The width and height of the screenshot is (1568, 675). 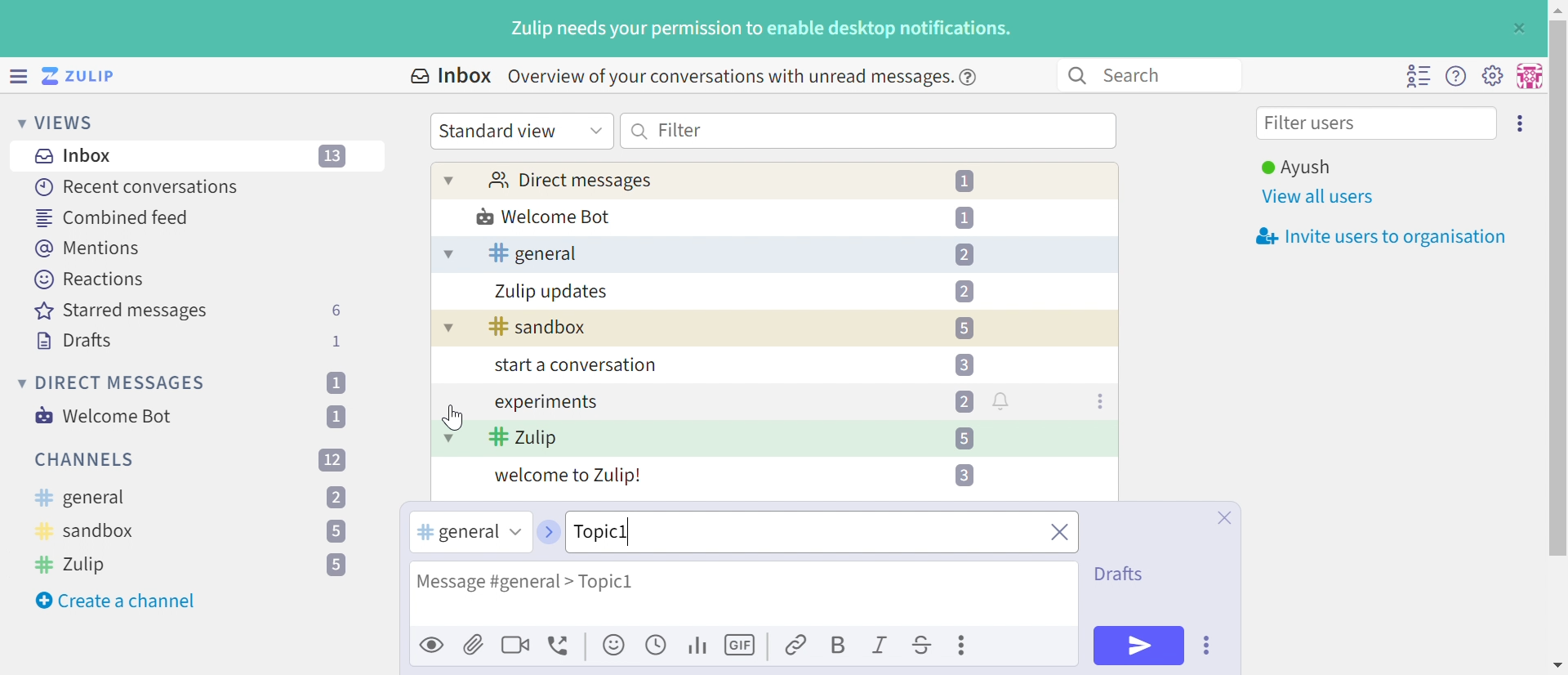 I want to click on Hide user list, so click(x=1418, y=76).